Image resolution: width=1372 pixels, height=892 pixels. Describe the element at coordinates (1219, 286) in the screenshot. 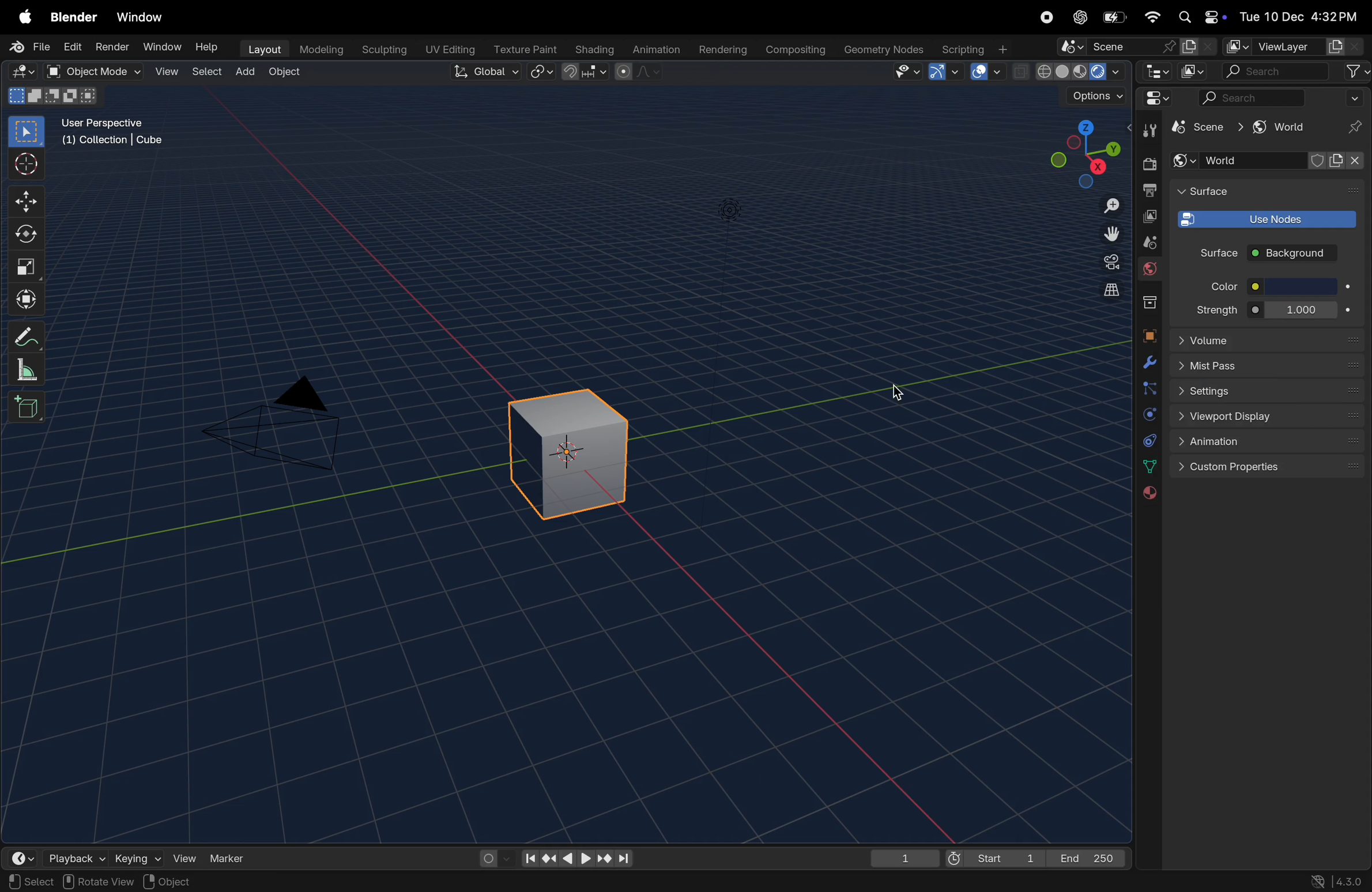

I see `color` at that location.